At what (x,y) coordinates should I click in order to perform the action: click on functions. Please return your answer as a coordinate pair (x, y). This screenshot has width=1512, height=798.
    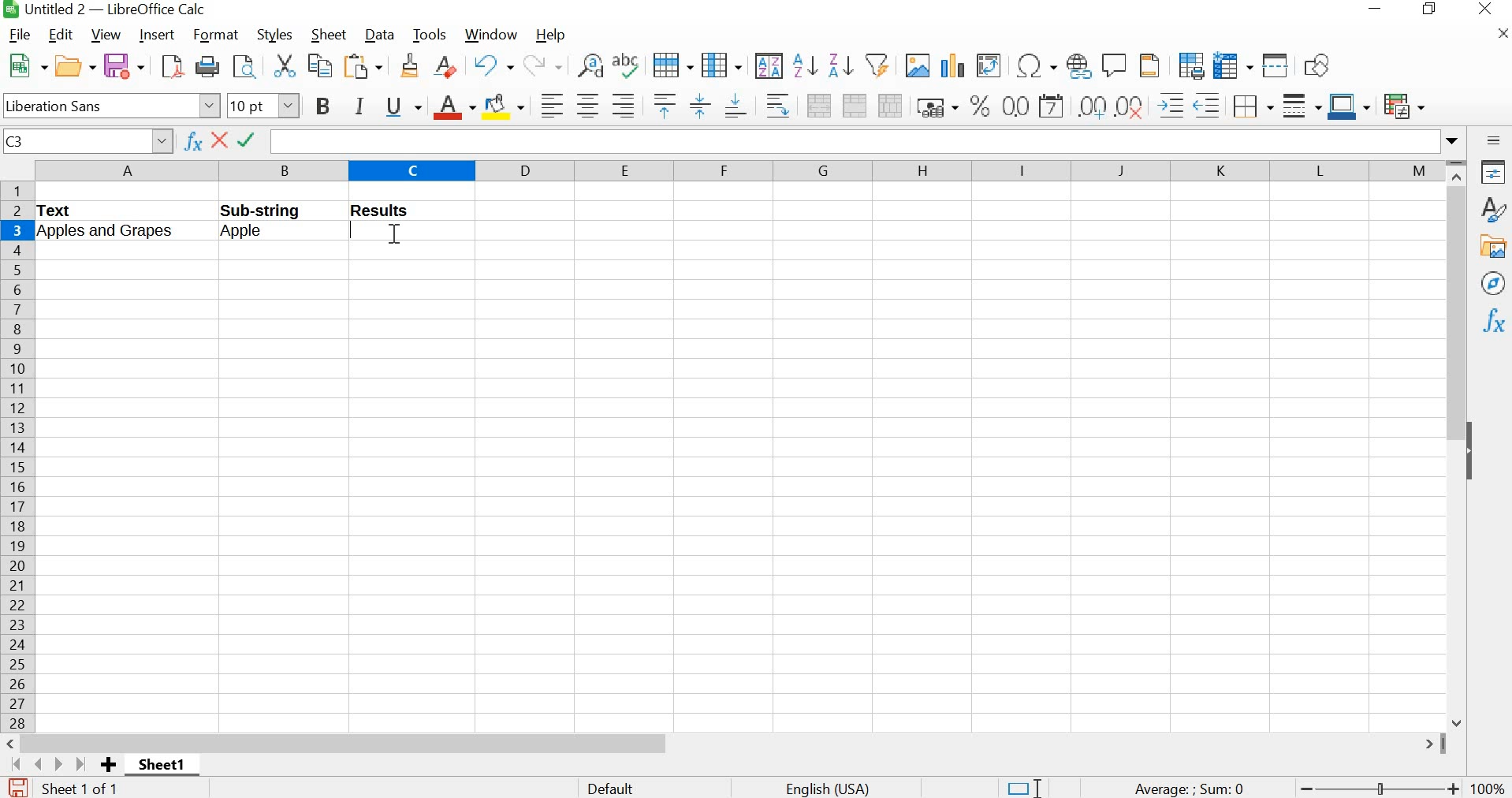
    Looking at the image, I should click on (1495, 320).